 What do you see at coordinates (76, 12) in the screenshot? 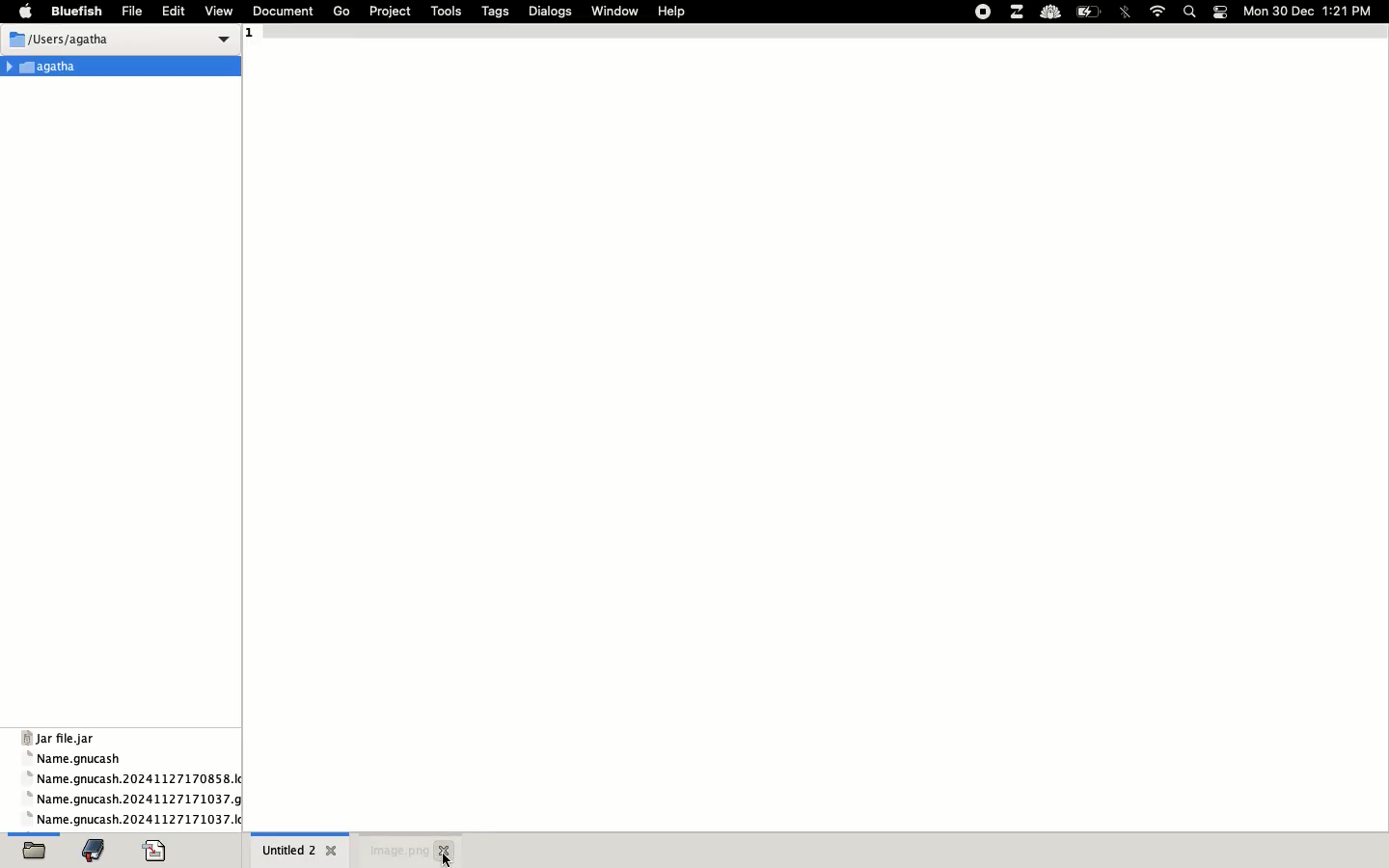
I see `bluefish` at bounding box center [76, 12].